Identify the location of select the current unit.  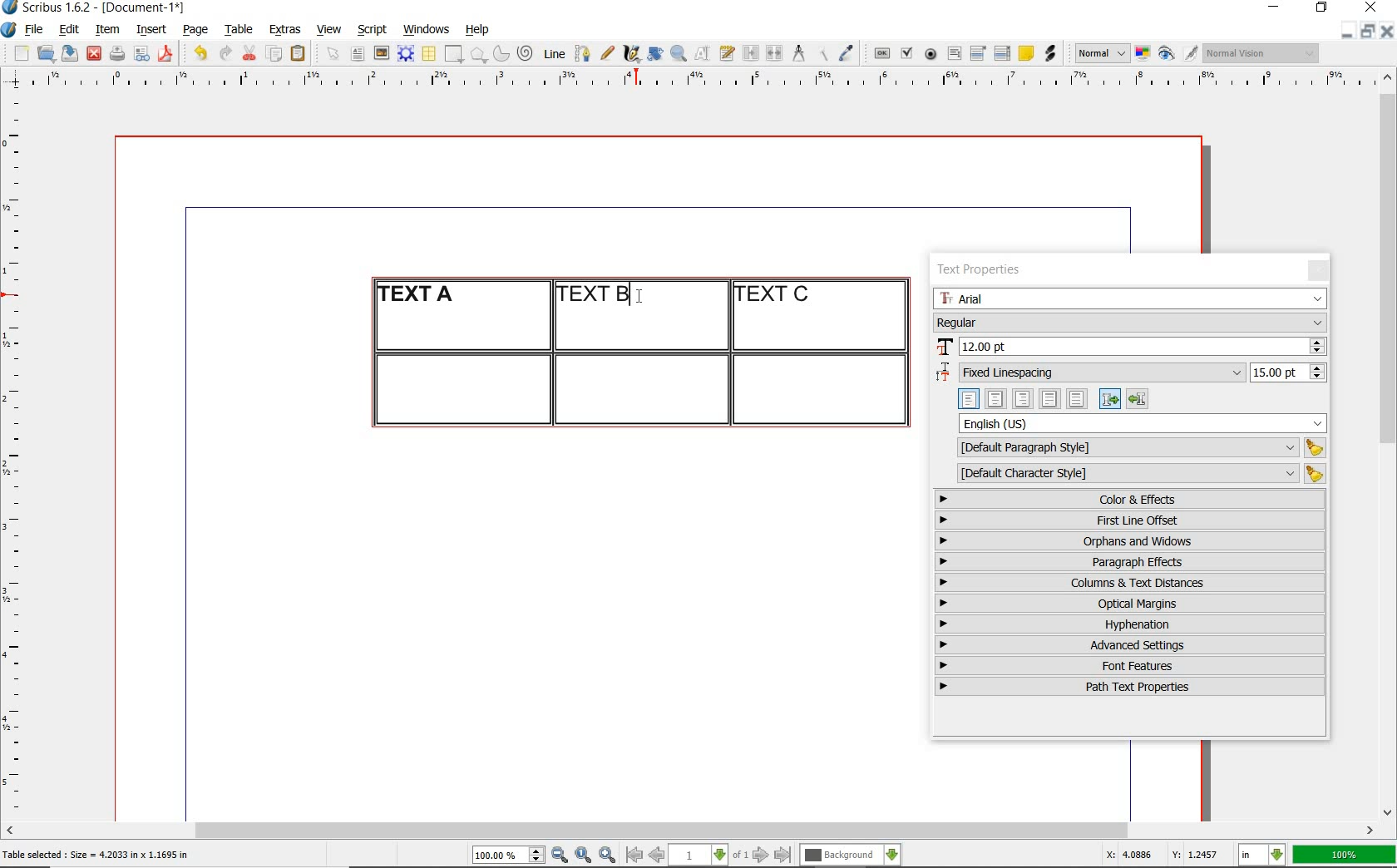
(1262, 856).